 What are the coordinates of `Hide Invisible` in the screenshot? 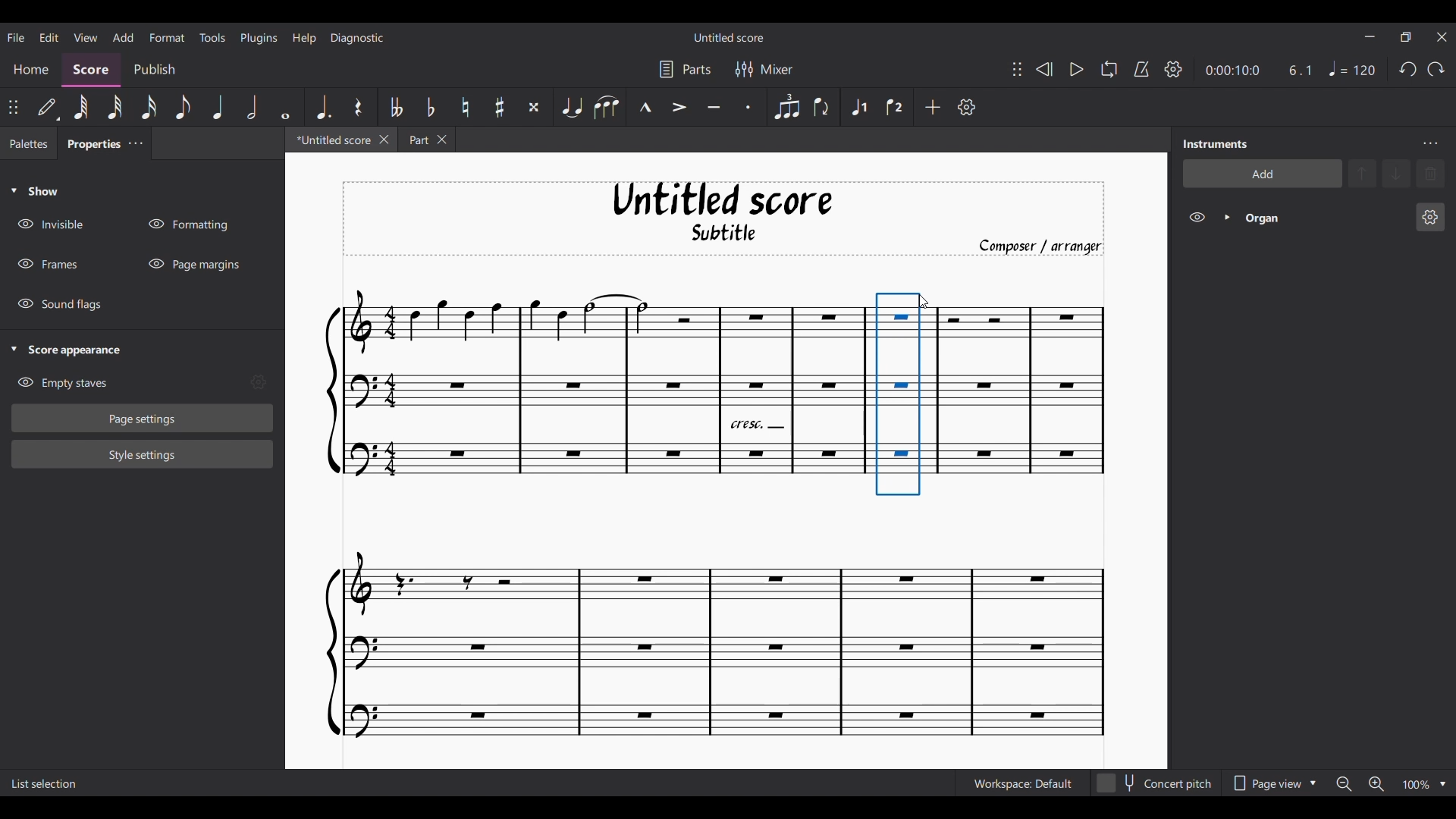 It's located at (50, 224).